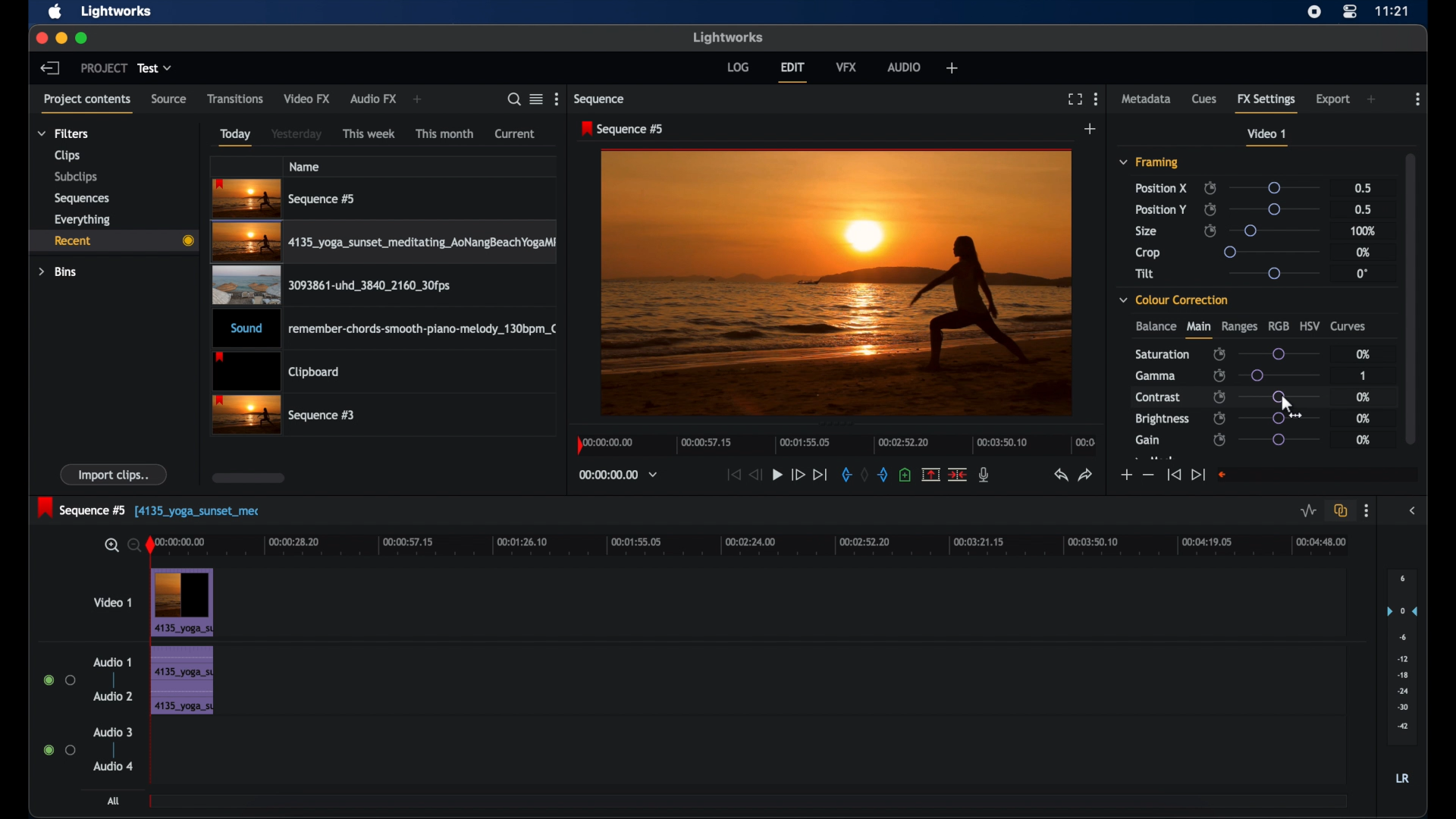 This screenshot has height=819, width=1456. What do you see at coordinates (1147, 441) in the screenshot?
I see `gain` at bounding box center [1147, 441].